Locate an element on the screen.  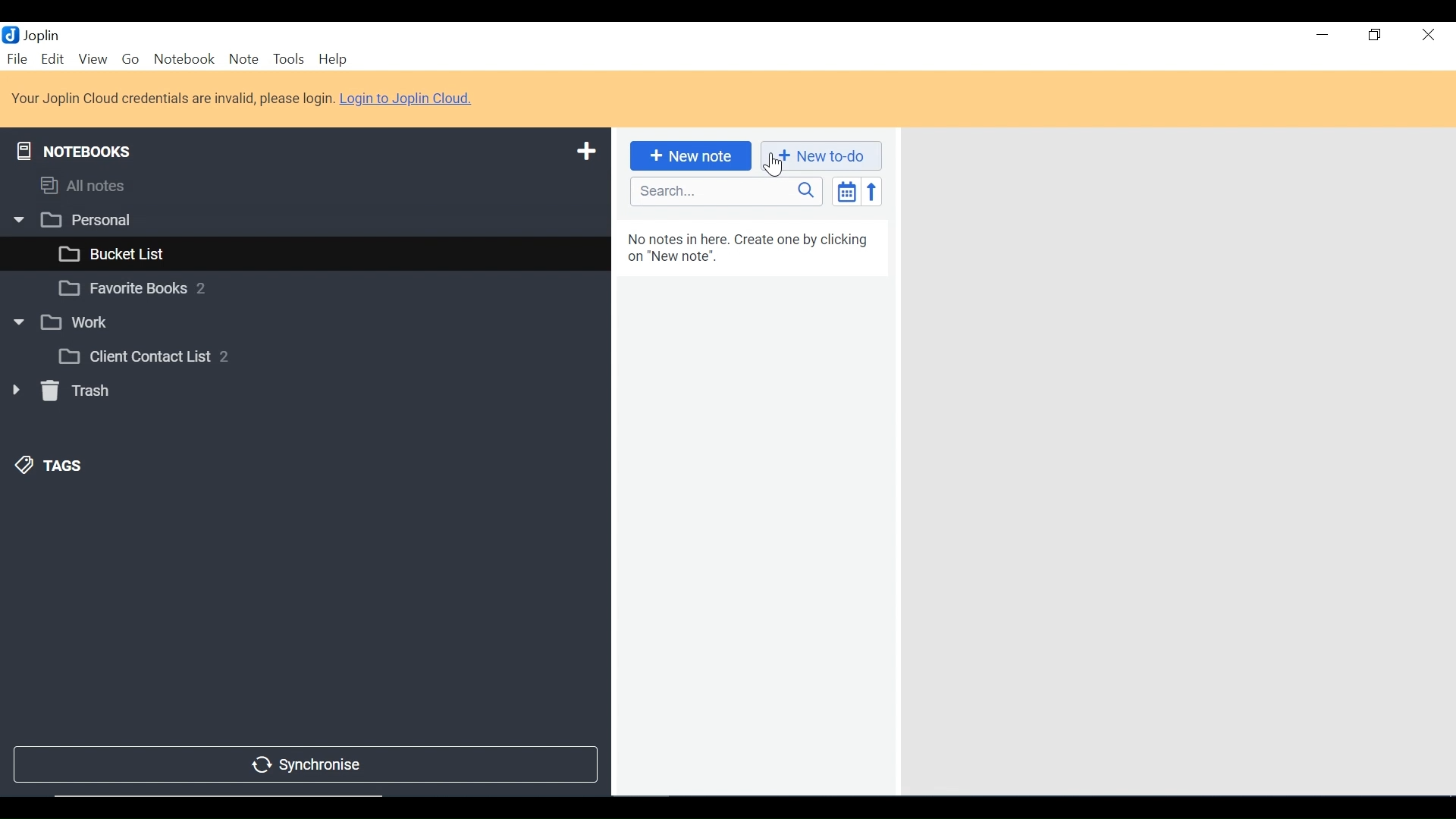
File is located at coordinates (18, 60).